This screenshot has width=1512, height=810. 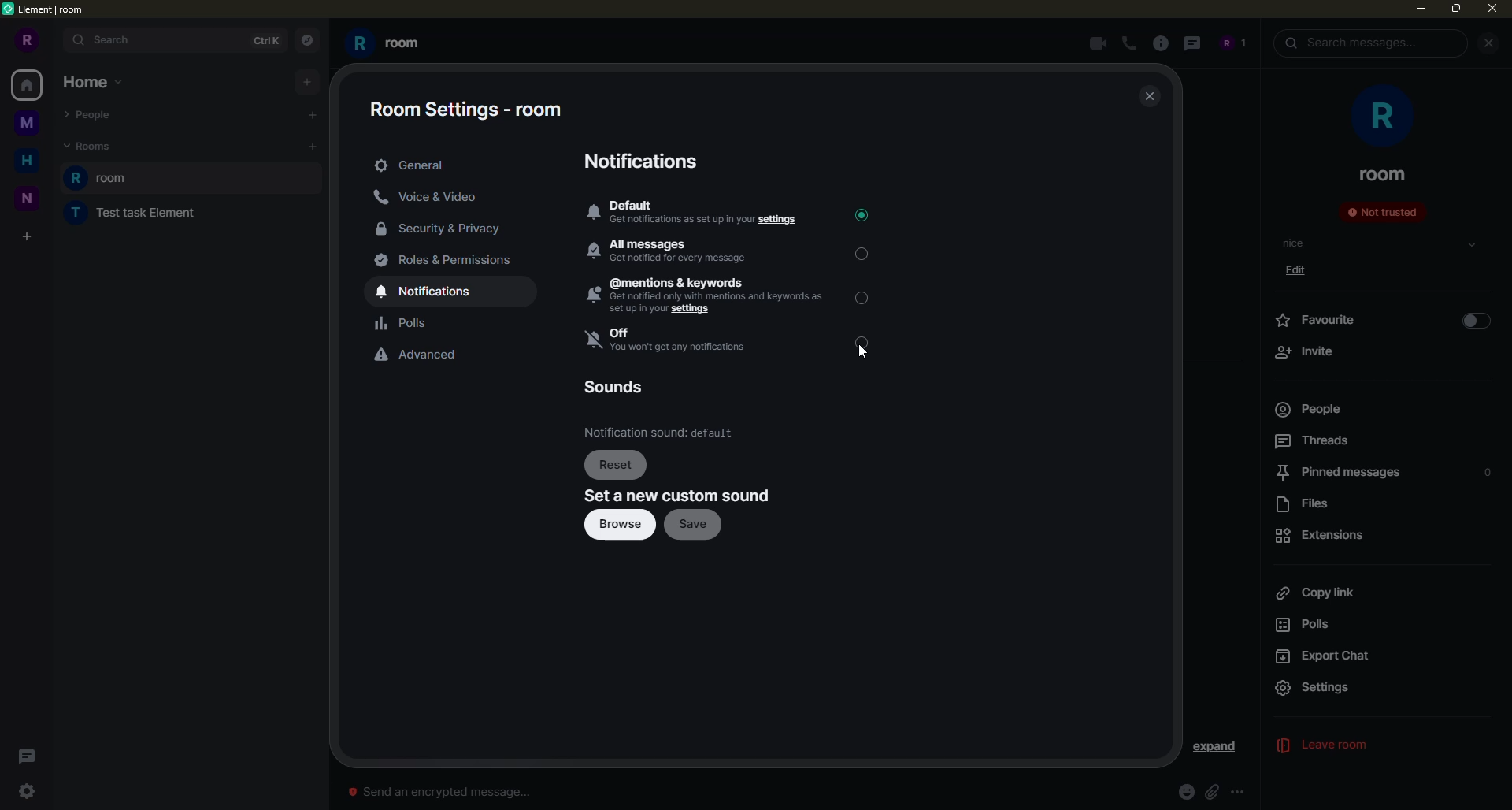 I want to click on favorite, so click(x=1322, y=320).